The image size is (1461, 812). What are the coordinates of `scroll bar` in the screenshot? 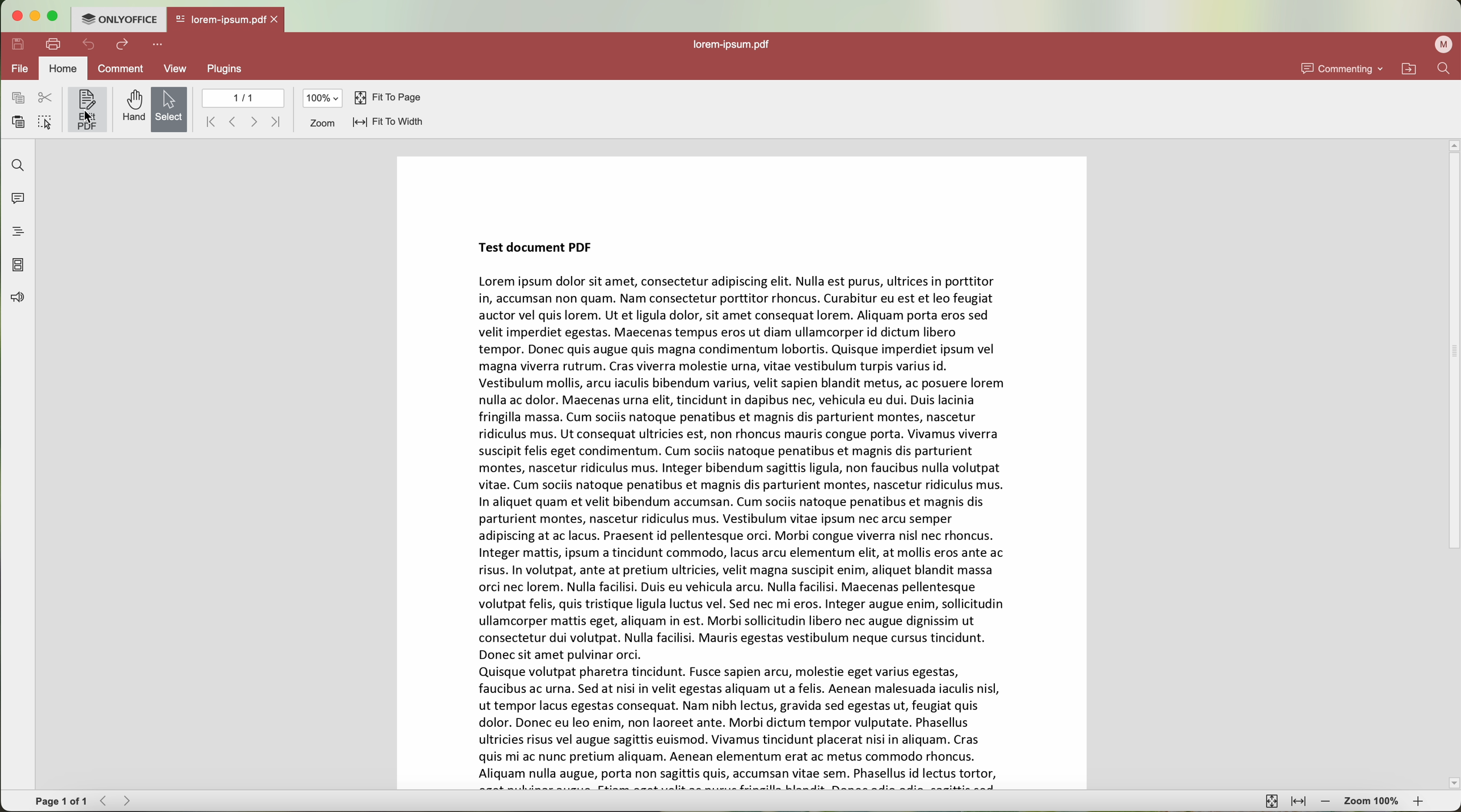 It's located at (1452, 463).